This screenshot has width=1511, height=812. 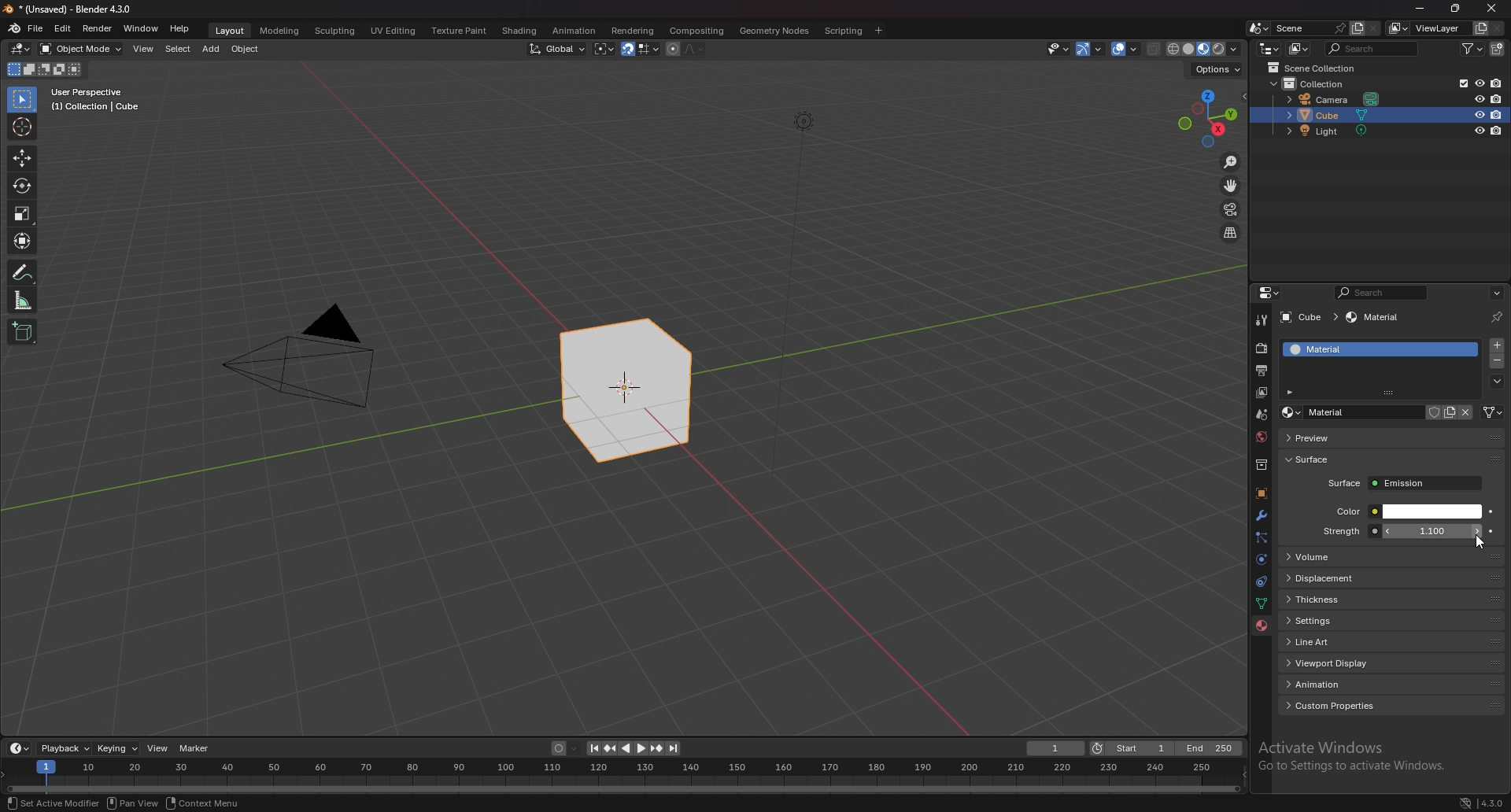 I want to click on Activate Windows Go to Settings to activate Windows., so click(x=1355, y=758).